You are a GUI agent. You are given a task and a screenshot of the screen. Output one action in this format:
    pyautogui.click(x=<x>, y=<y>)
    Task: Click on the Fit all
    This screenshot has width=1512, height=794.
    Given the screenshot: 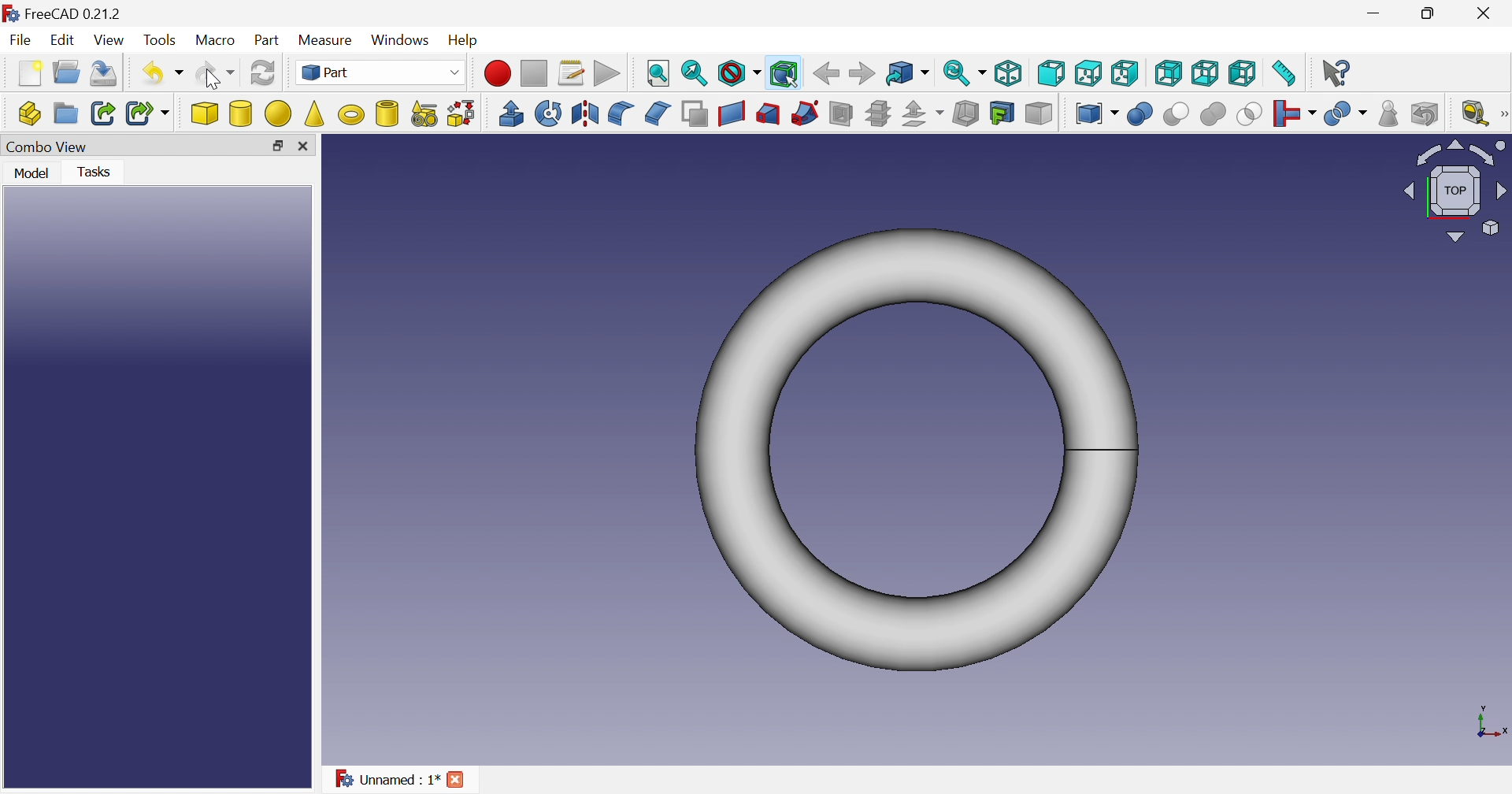 What is the action you would take?
    pyautogui.click(x=654, y=74)
    